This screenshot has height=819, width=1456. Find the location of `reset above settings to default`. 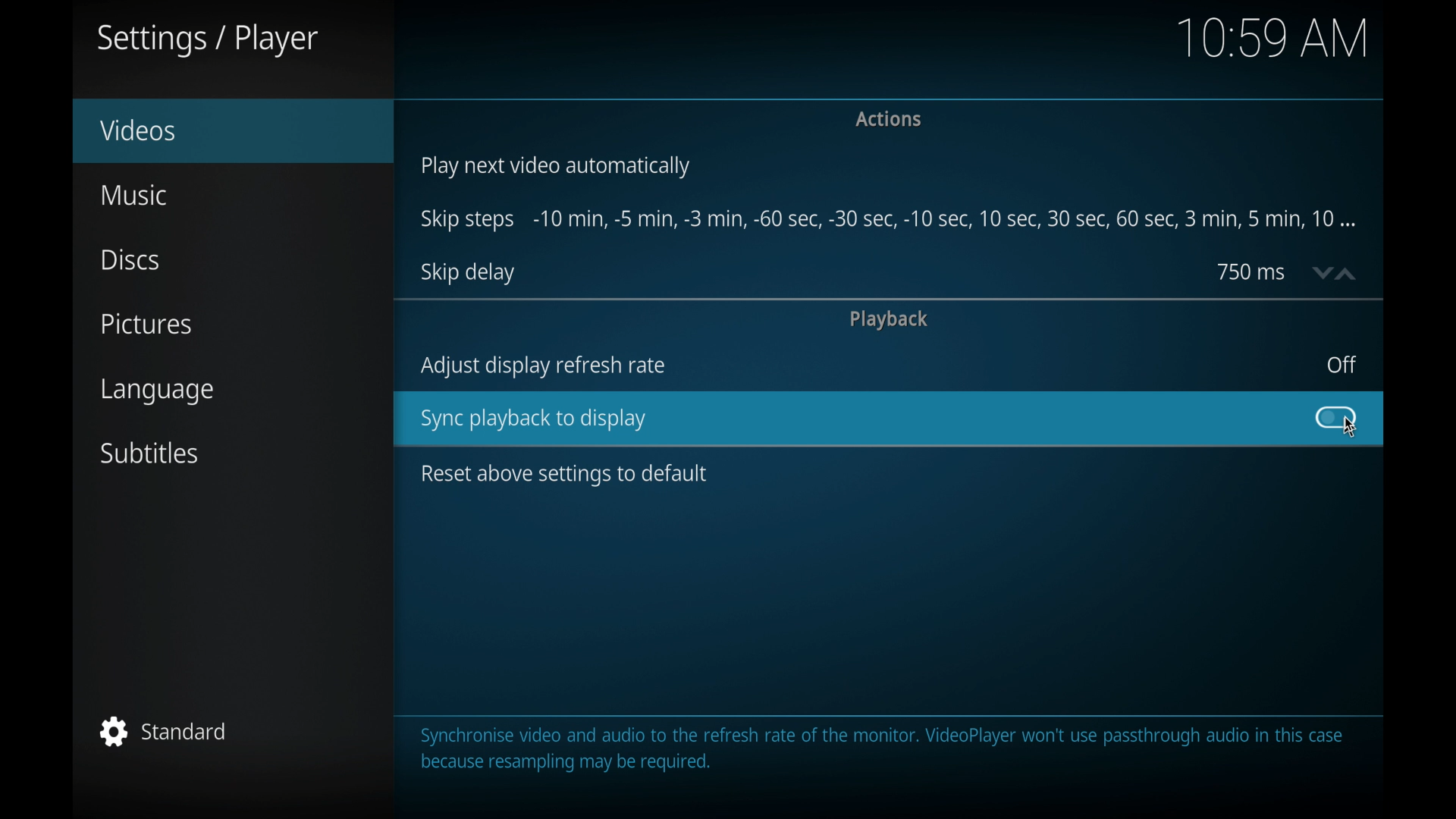

reset above settings to default is located at coordinates (569, 475).